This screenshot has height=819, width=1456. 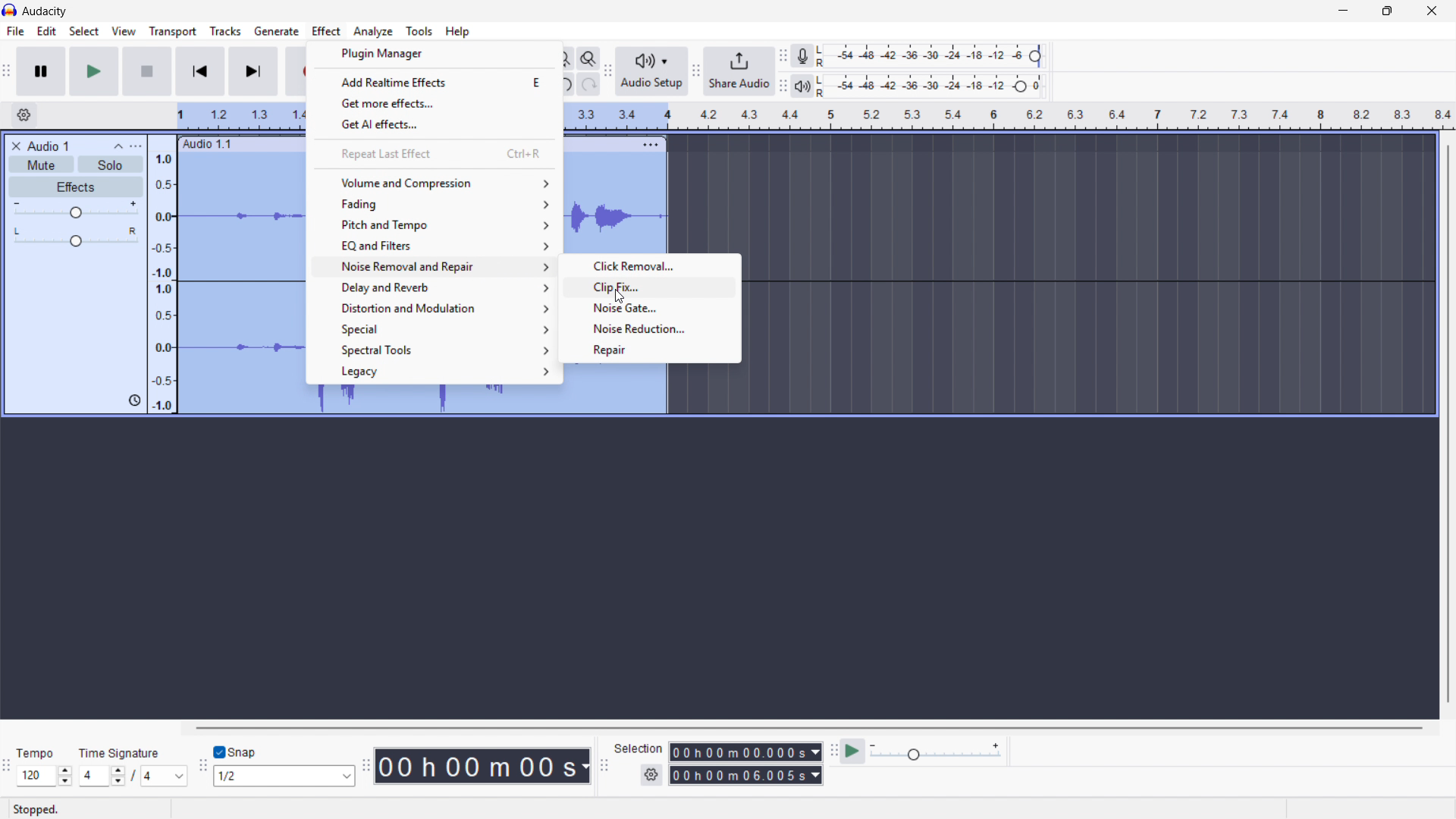 What do you see at coordinates (42, 165) in the screenshot?
I see `Mute` at bounding box center [42, 165].